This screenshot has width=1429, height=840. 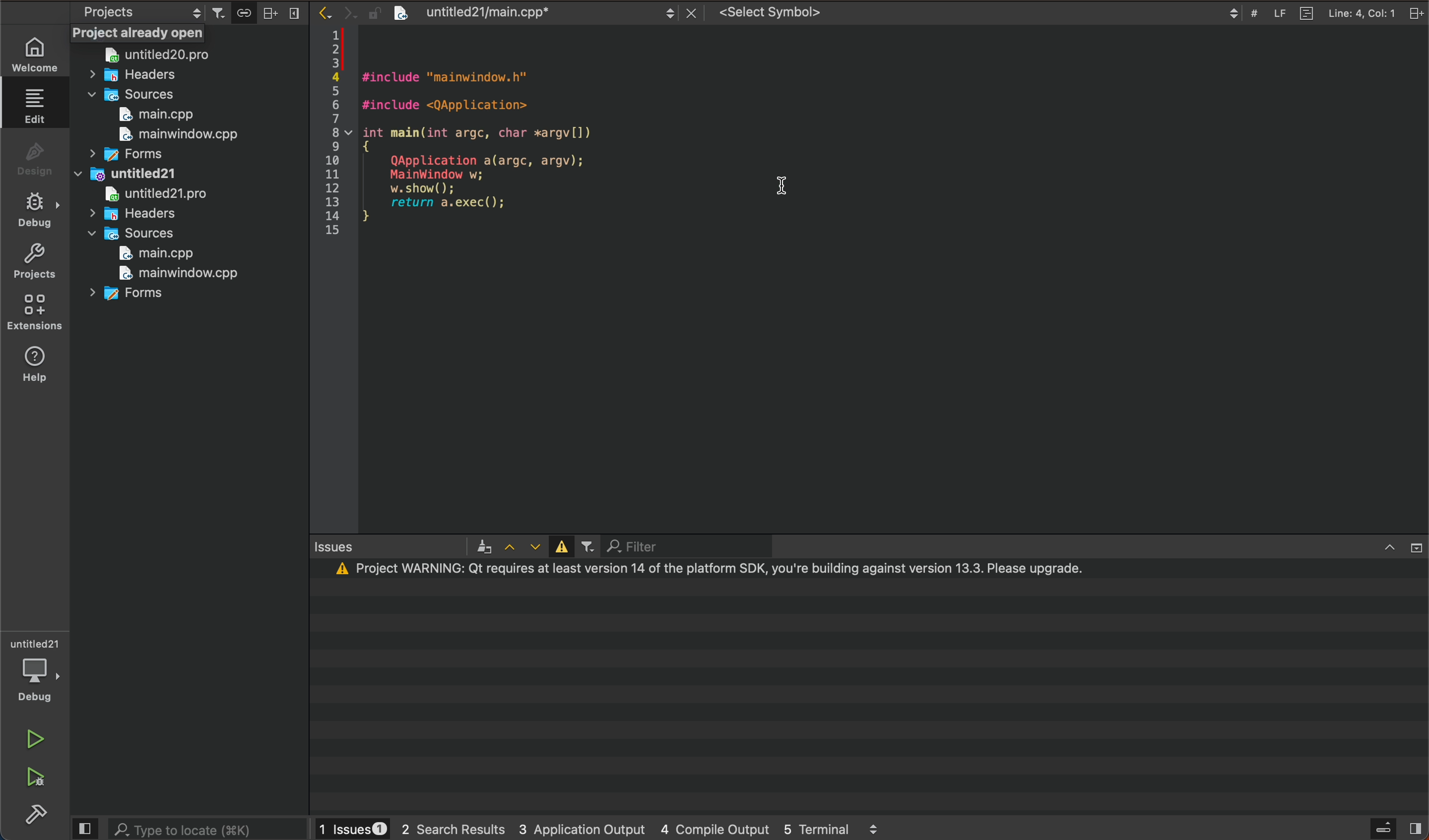 What do you see at coordinates (185, 34) in the screenshot?
I see `files and folders` at bounding box center [185, 34].